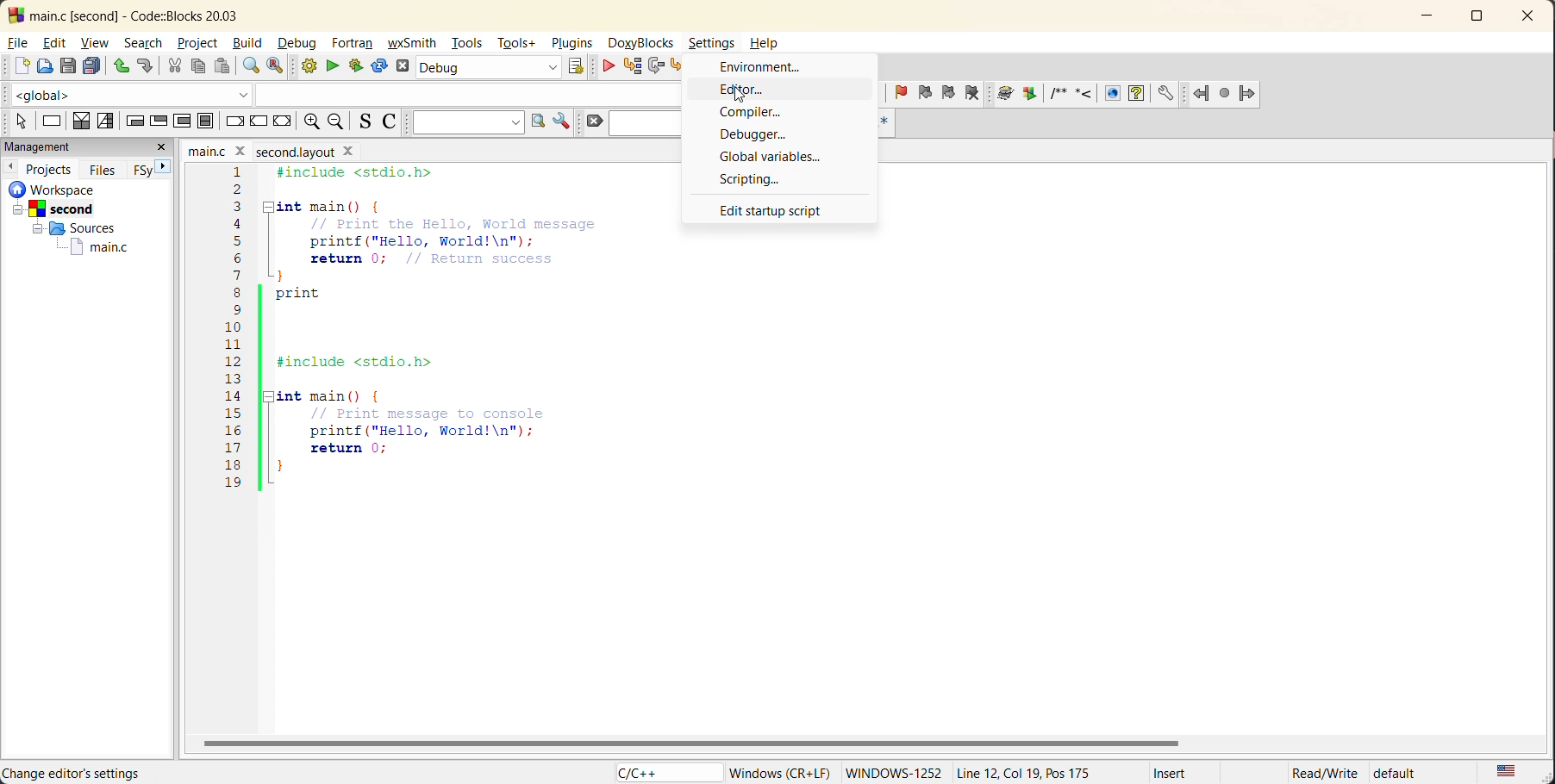 The width and height of the screenshot is (1555, 784). Describe the element at coordinates (466, 42) in the screenshot. I see `tools` at that location.